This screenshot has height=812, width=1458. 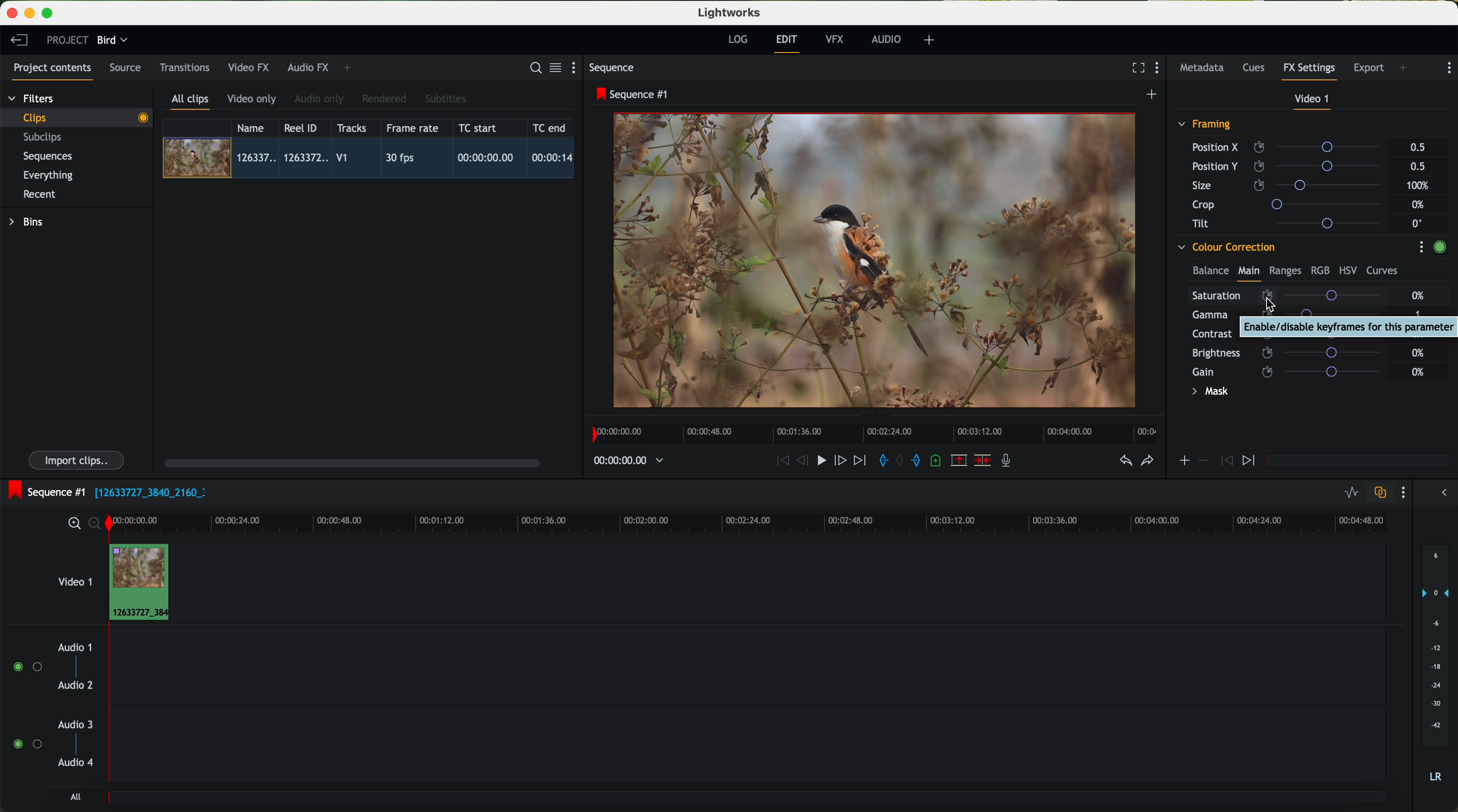 I want to click on gain, so click(x=1293, y=371).